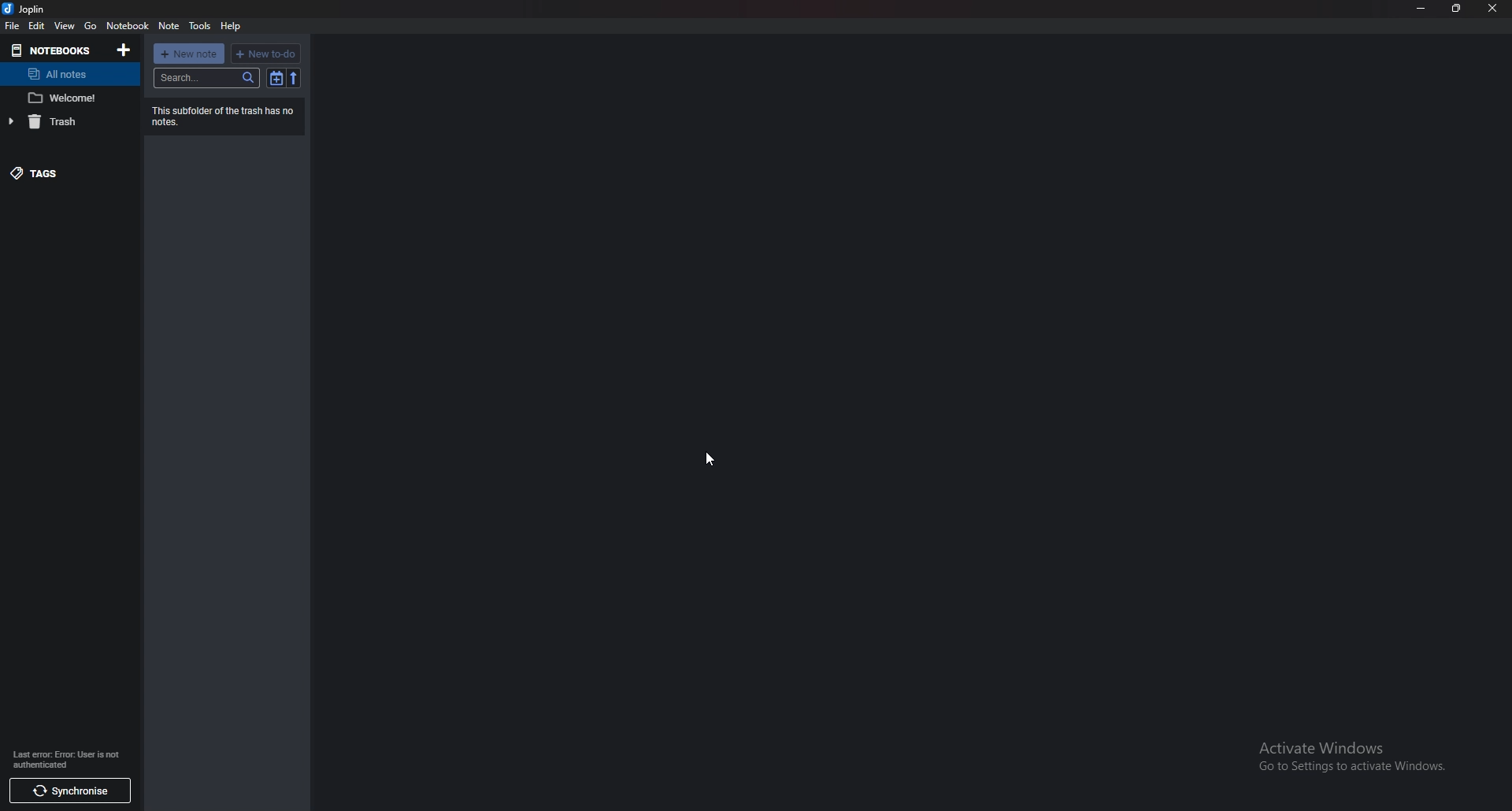  I want to click on note, so click(169, 25).